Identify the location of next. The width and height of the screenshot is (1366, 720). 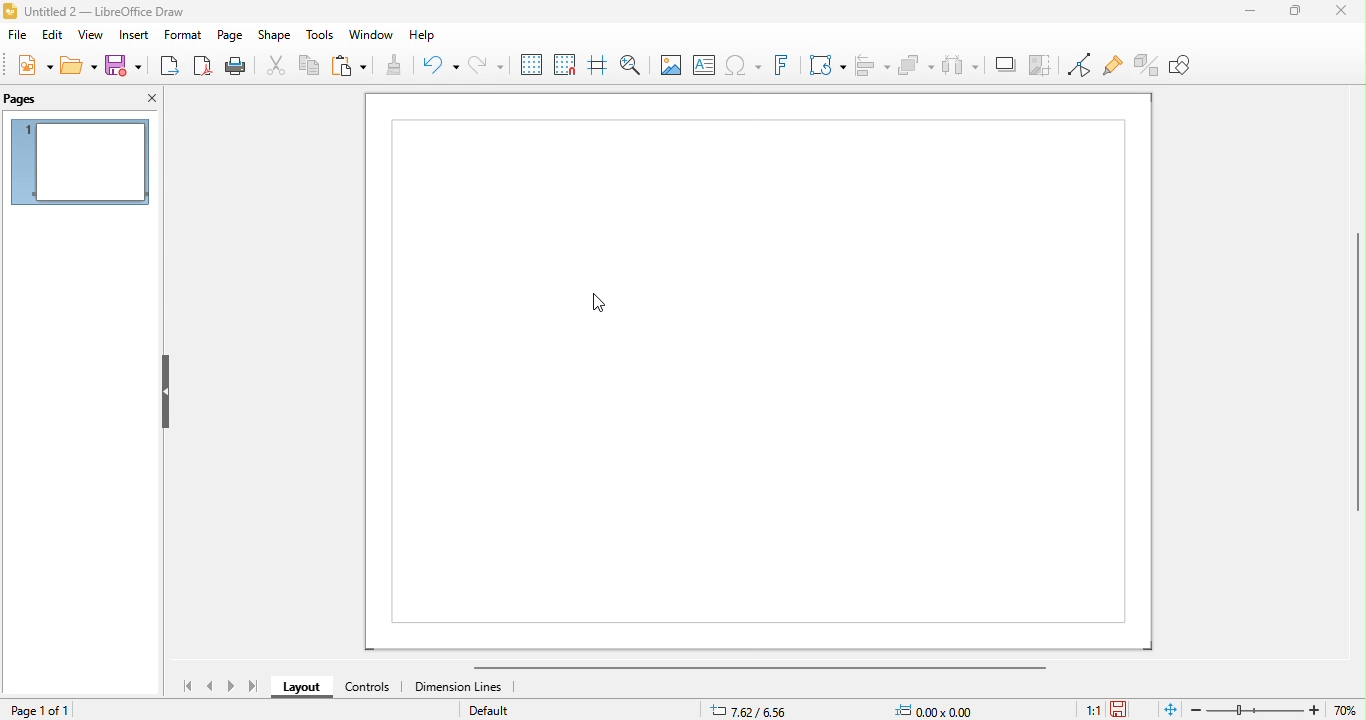
(229, 687).